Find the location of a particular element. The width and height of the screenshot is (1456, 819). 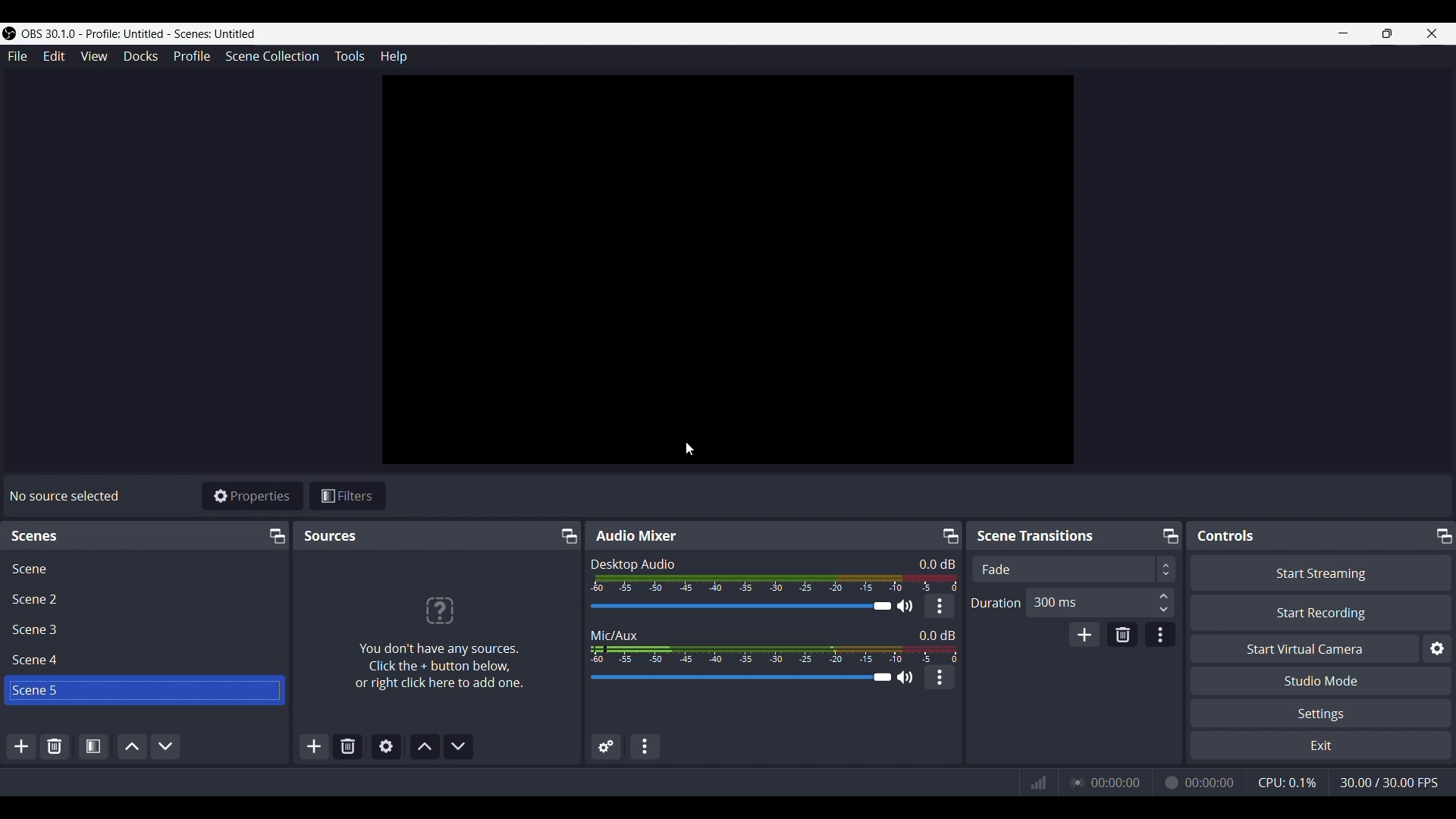

Minimize is located at coordinates (277, 536).